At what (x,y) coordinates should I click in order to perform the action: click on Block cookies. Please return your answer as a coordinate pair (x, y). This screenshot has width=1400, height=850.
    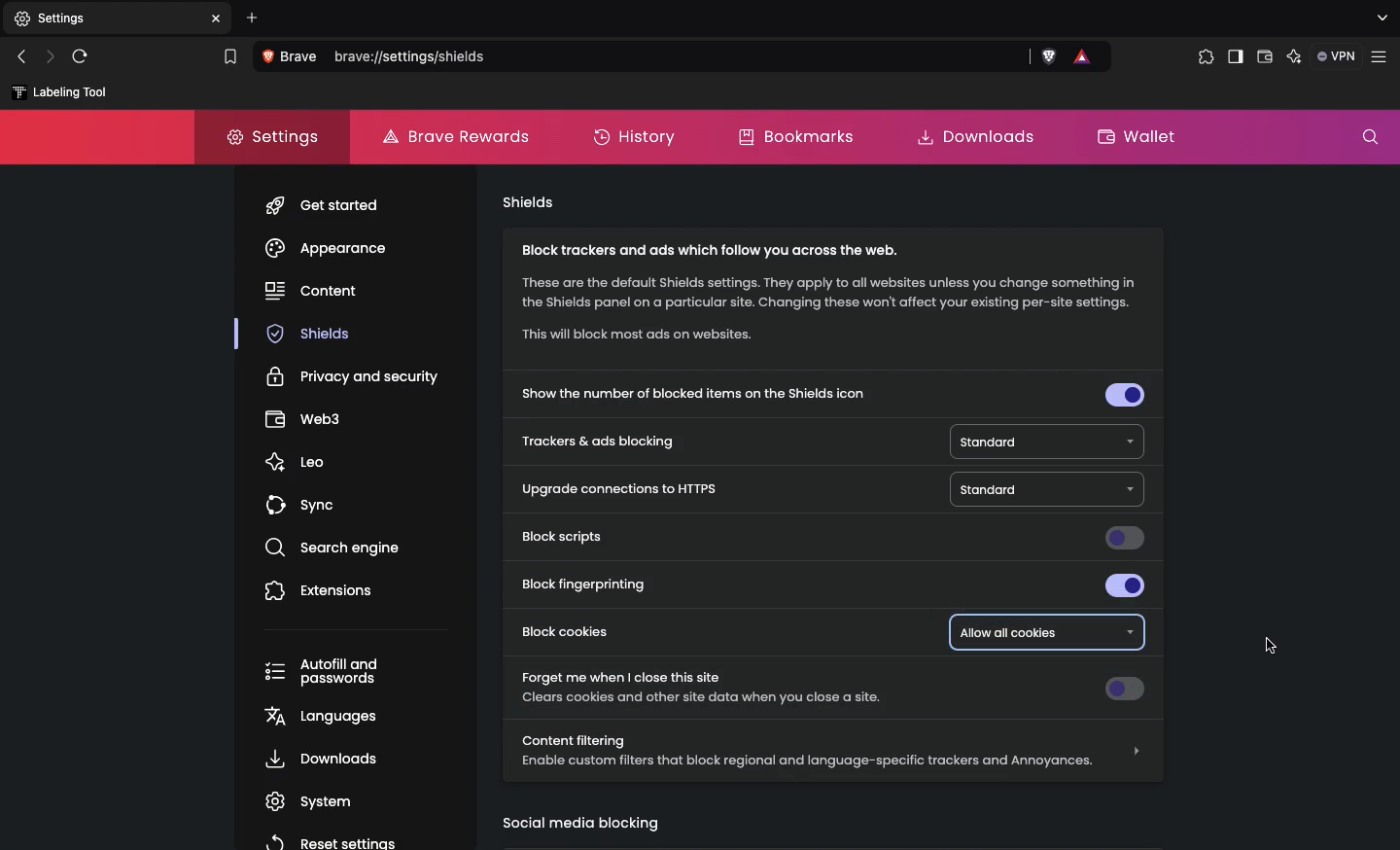
    Looking at the image, I should click on (579, 632).